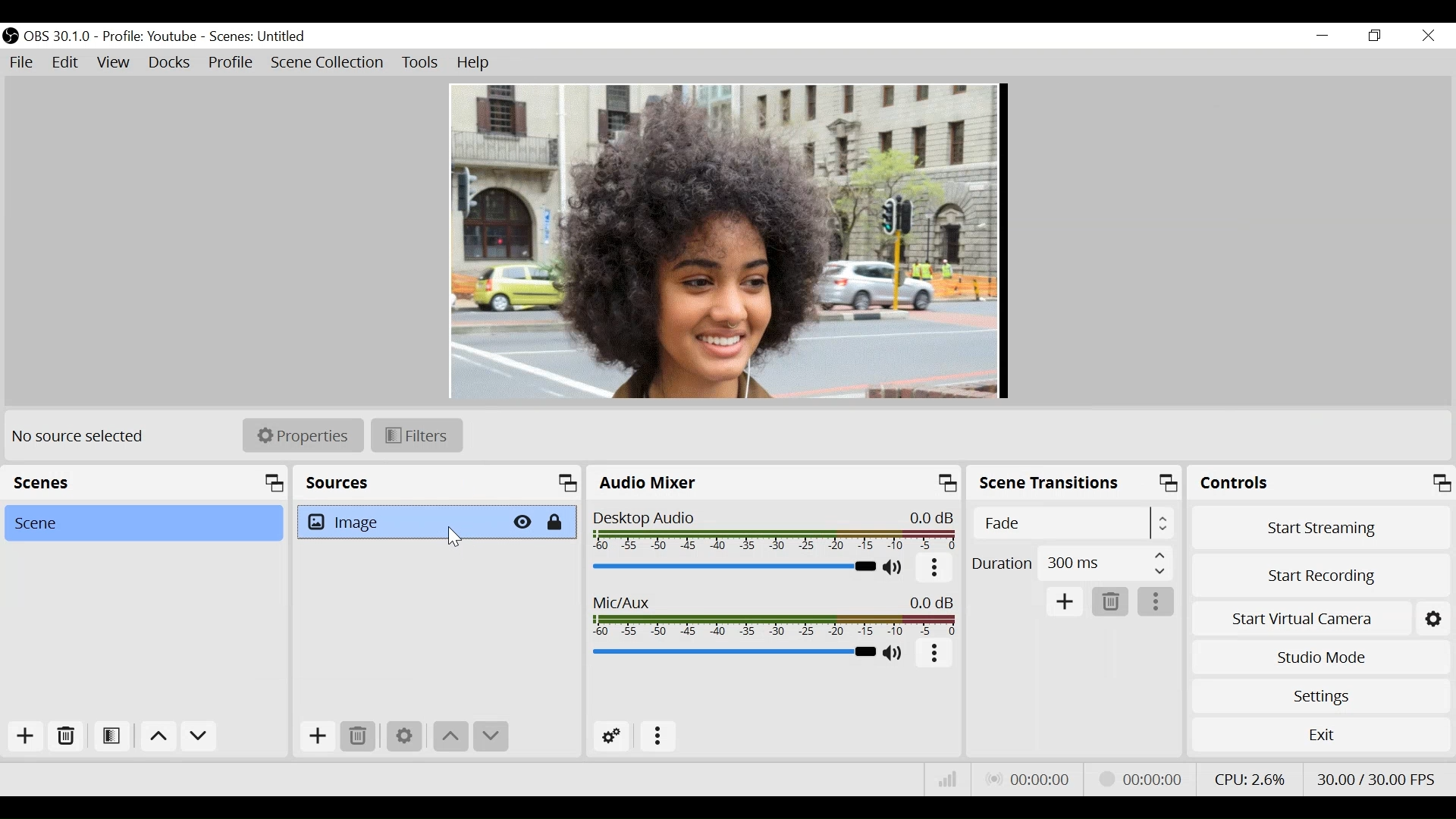 The height and width of the screenshot is (819, 1456). What do you see at coordinates (450, 736) in the screenshot?
I see `Move Up` at bounding box center [450, 736].